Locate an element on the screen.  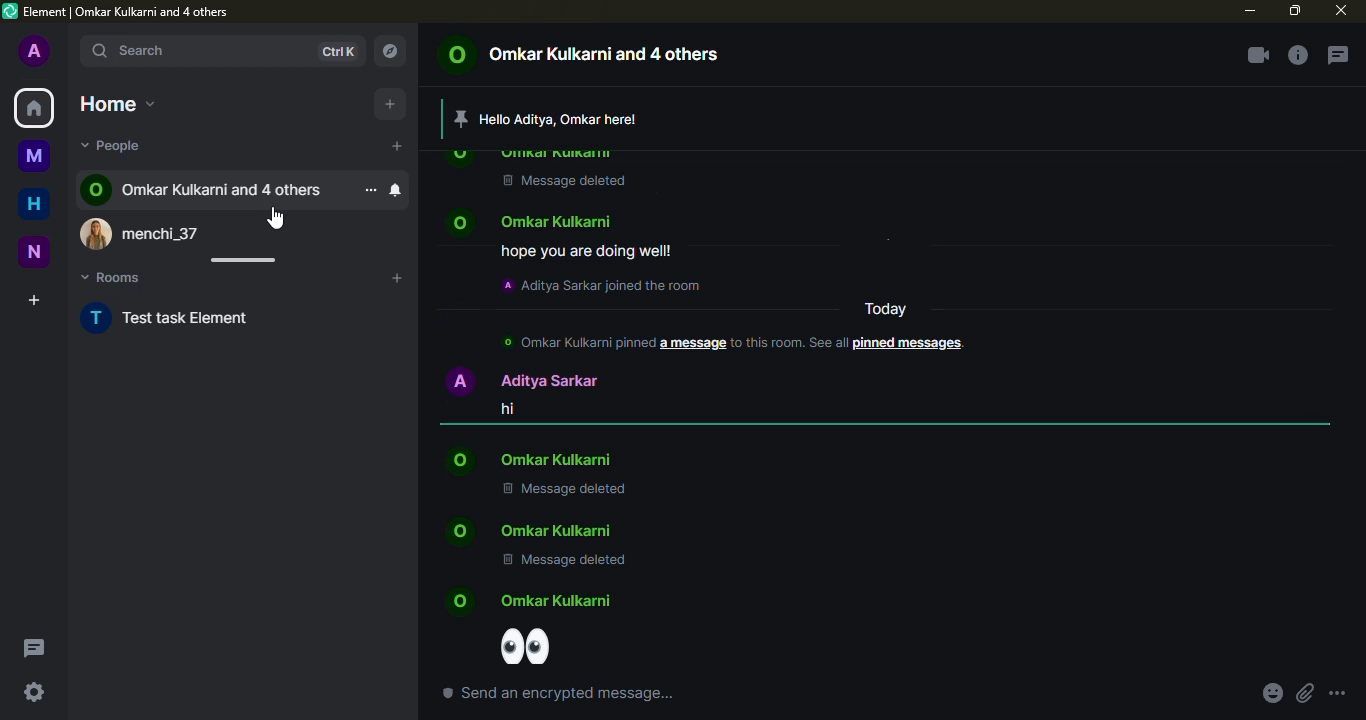
quick settings is located at coordinates (32, 693).